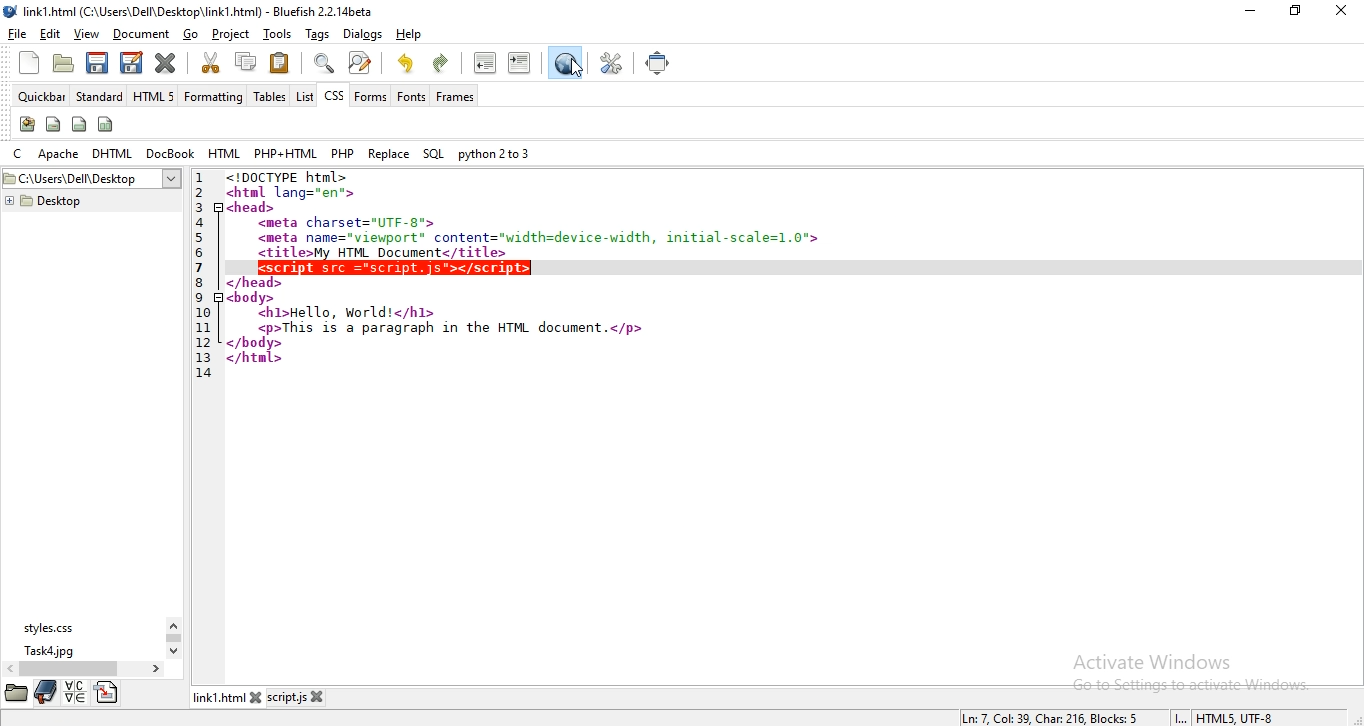 This screenshot has width=1364, height=726. I want to click on create stylesheet, so click(27, 124).